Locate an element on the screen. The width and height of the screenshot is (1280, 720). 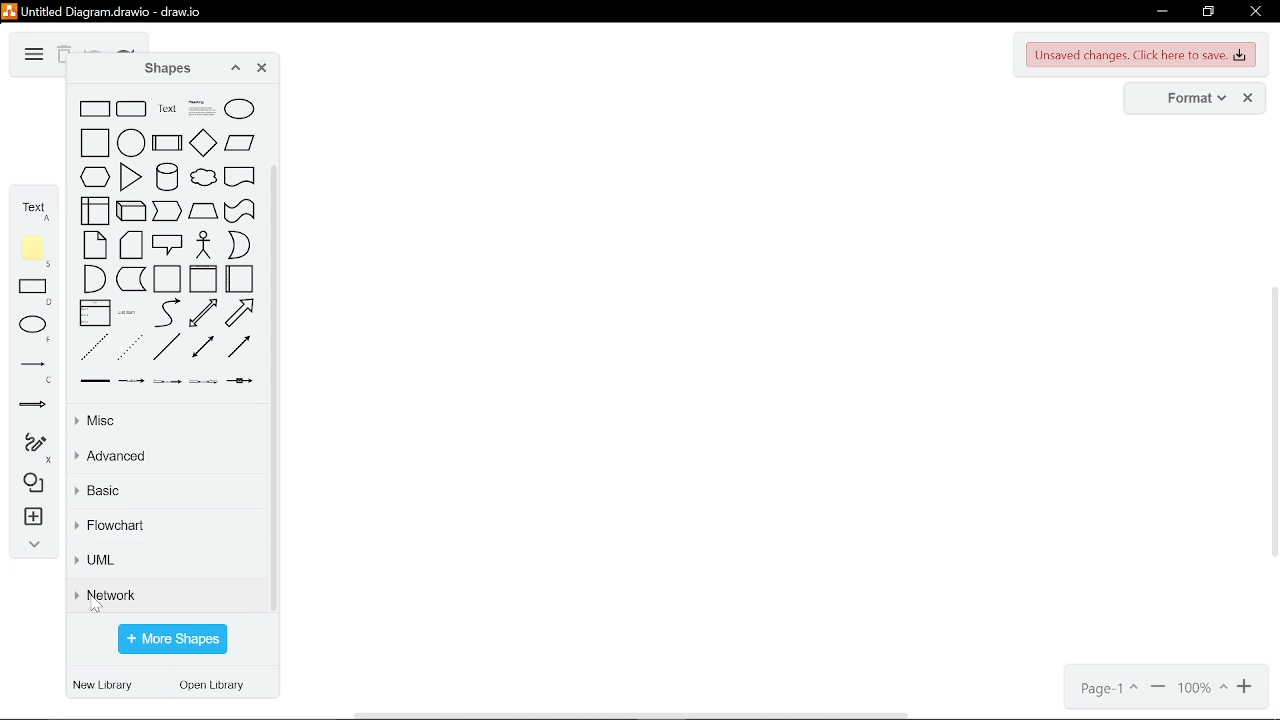
actor is located at coordinates (205, 245).